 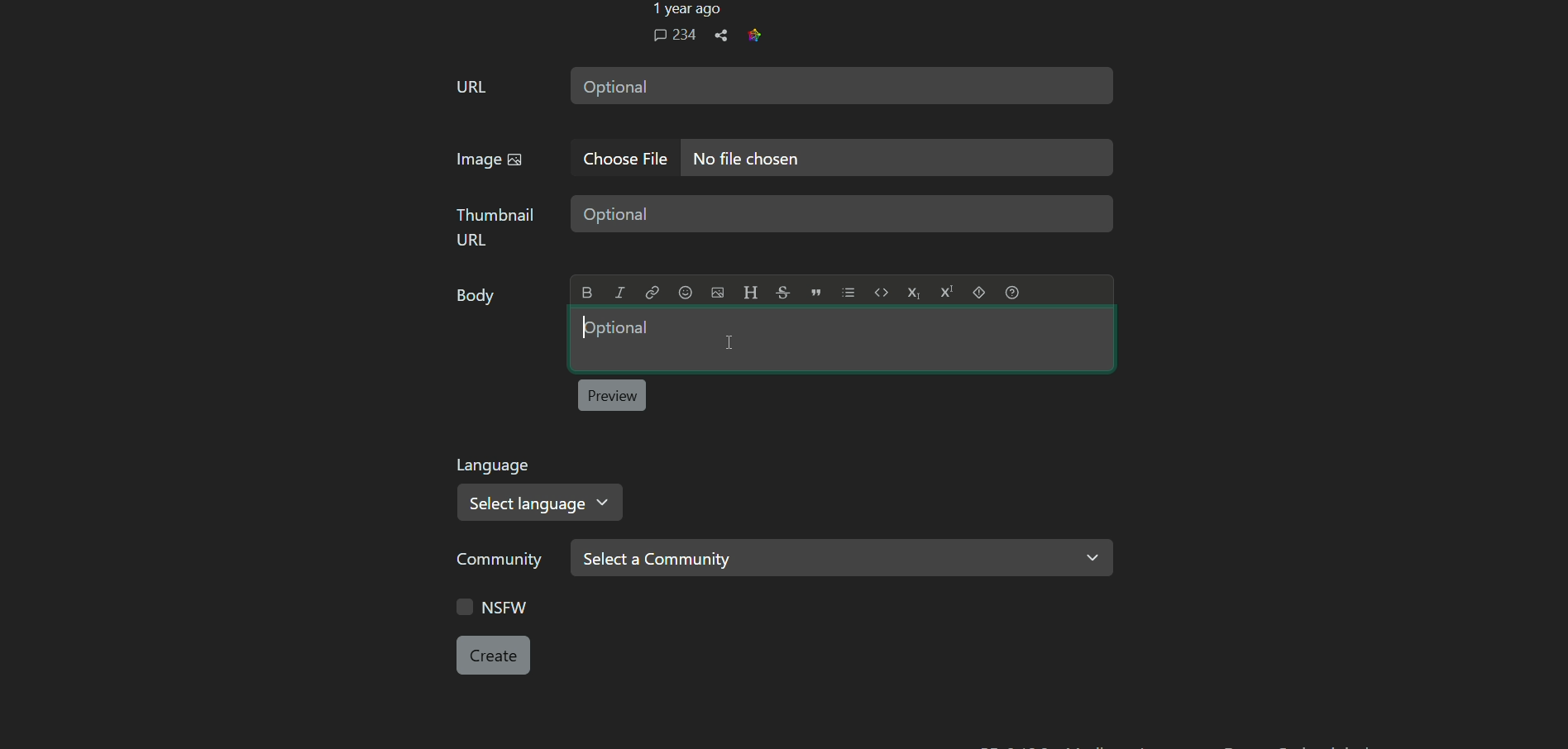 I want to click on Body, so click(x=478, y=298).